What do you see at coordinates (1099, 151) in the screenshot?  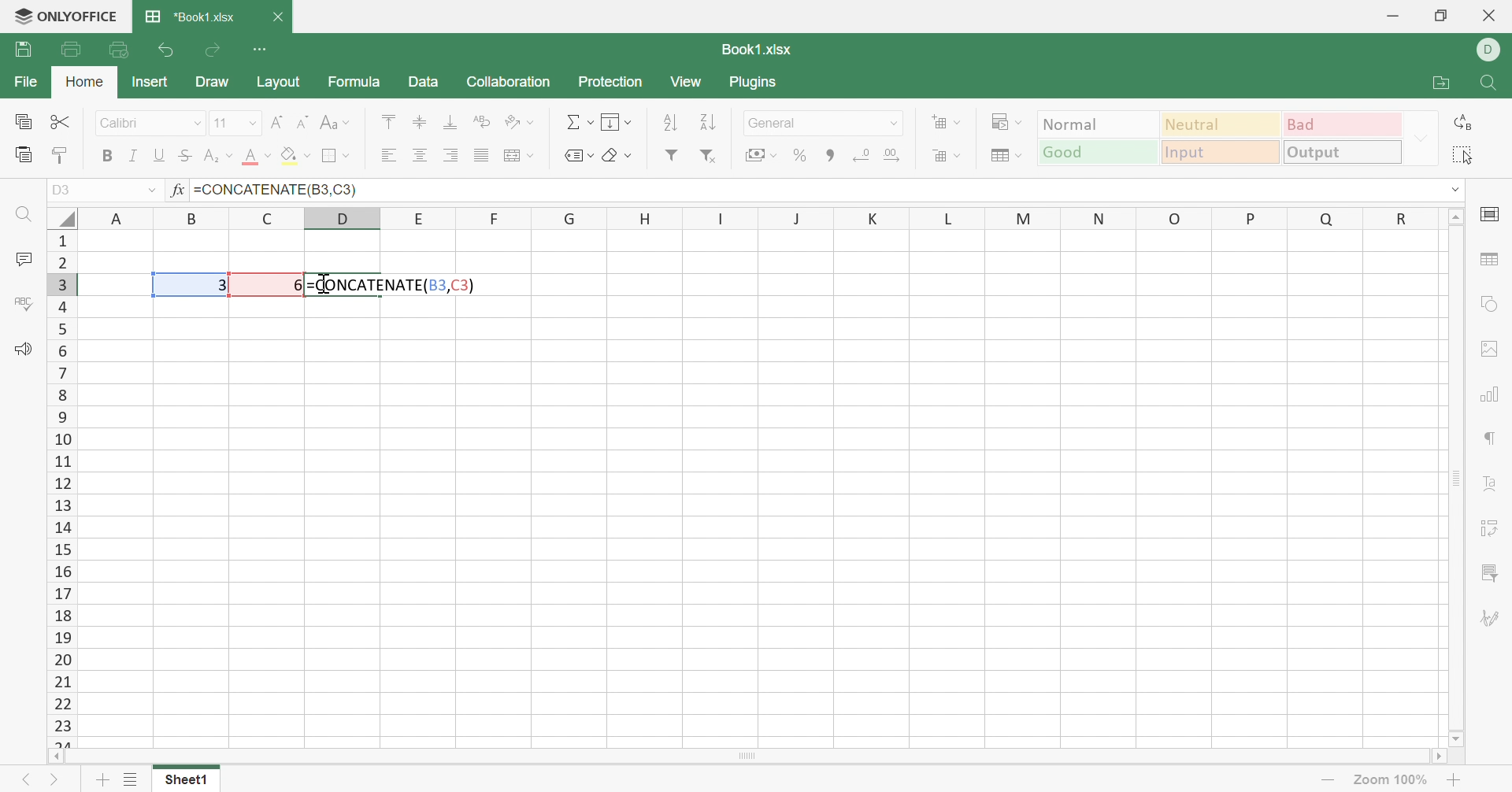 I see `Good` at bounding box center [1099, 151].